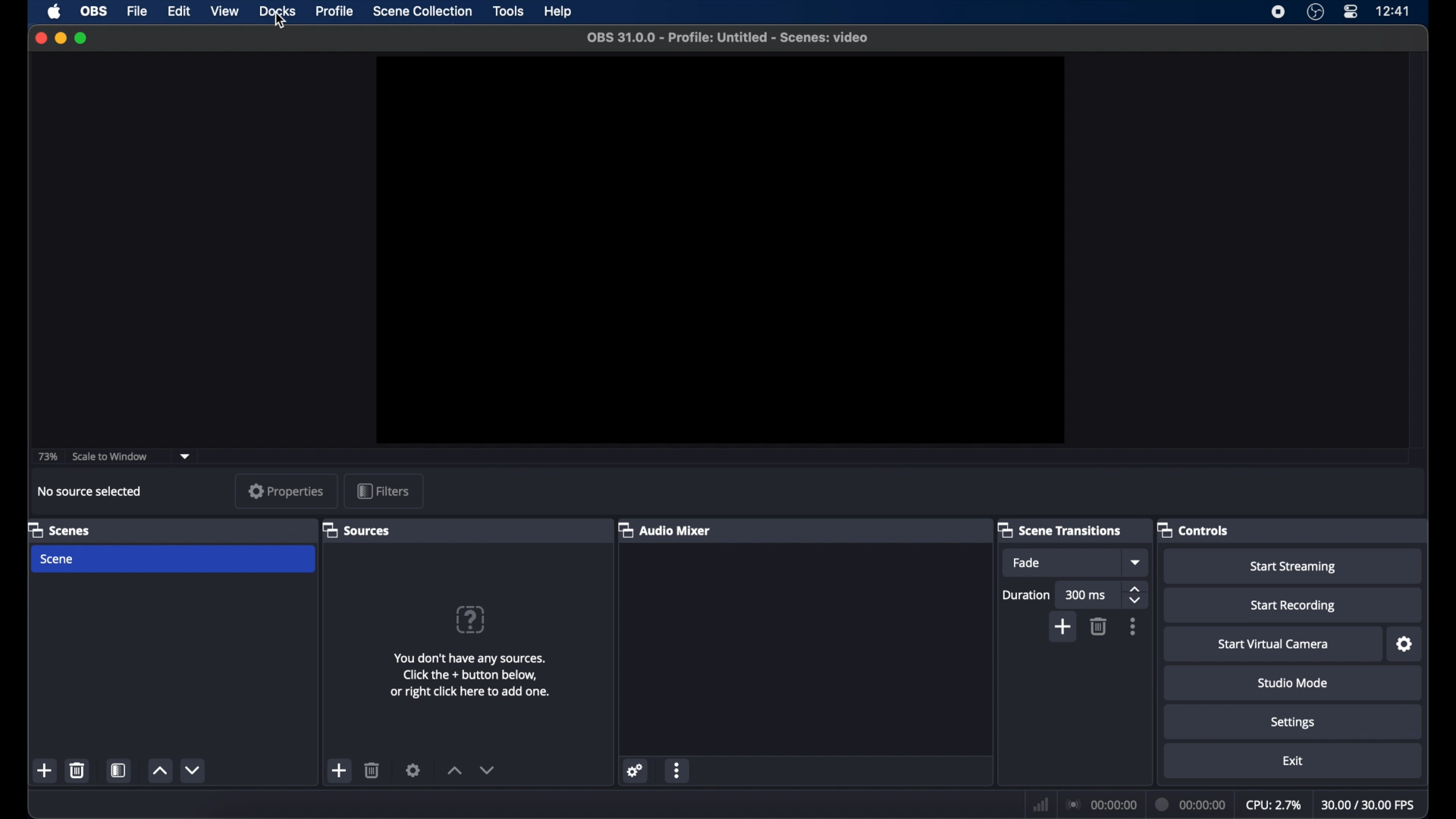 The image size is (1456, 819). I want to click on docks, so click(278, 11).